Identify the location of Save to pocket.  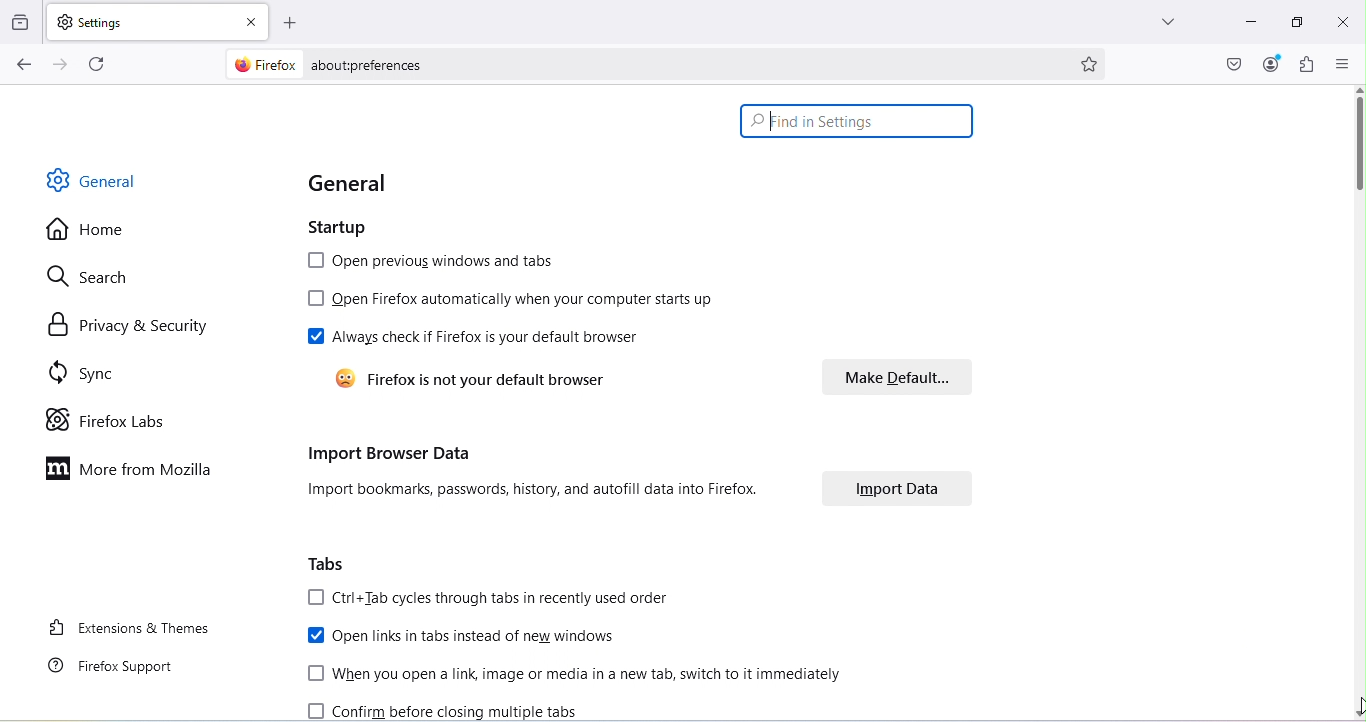
(1235, 65).